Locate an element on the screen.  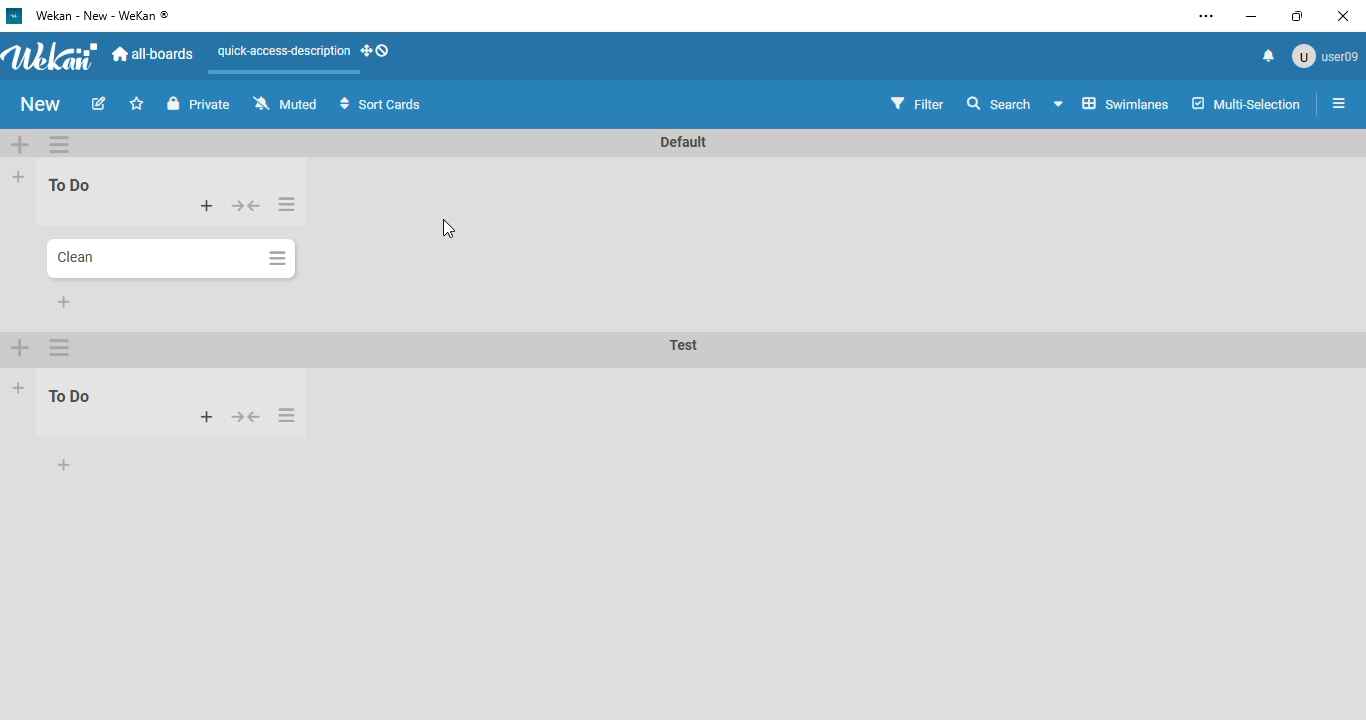
add card to bottom of list is located at coordinates (64, 302).